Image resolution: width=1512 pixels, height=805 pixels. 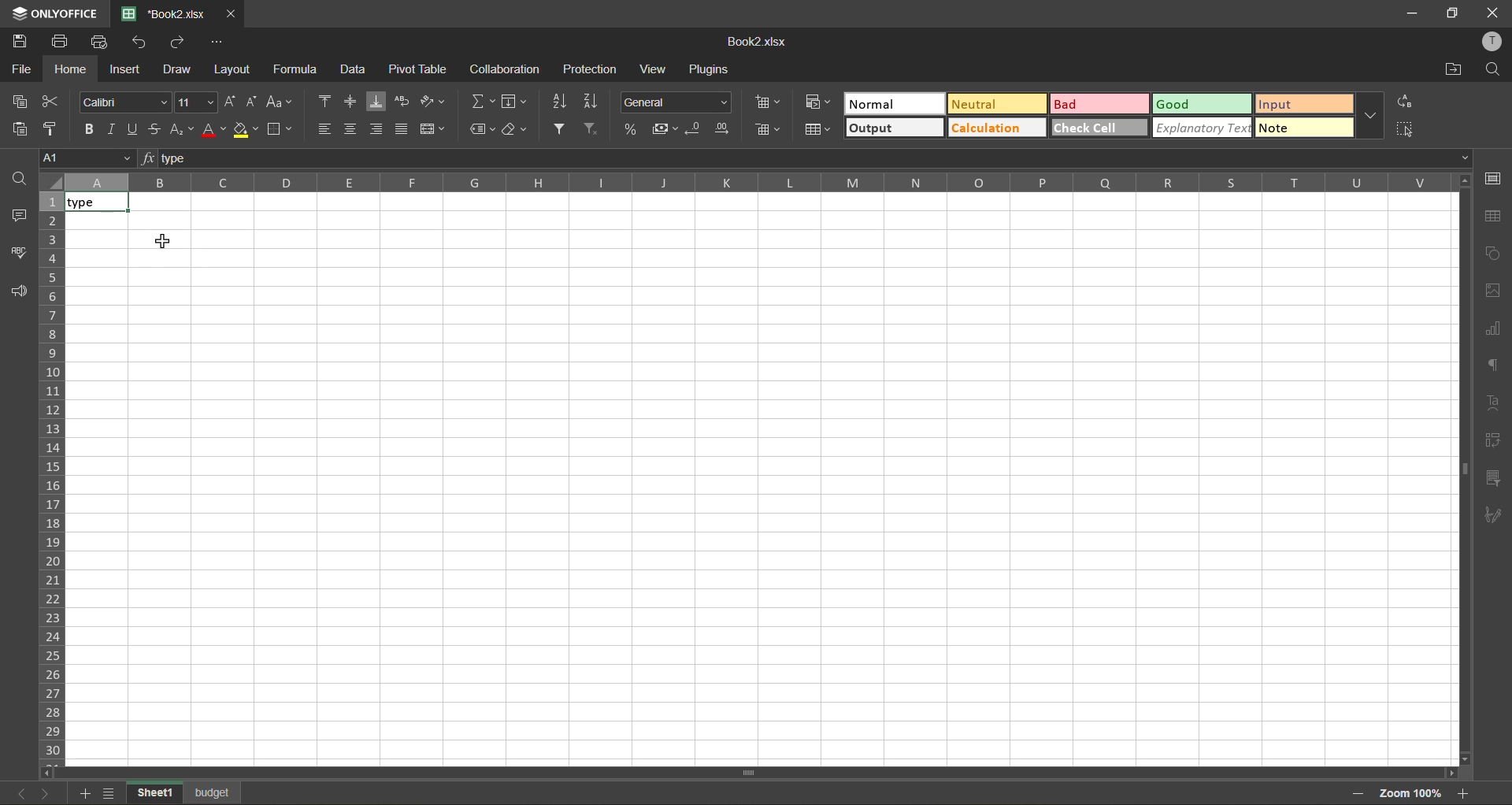 What do you see at coordinates (346, 98) in the screenshot?
I see `align middle` at bounding box center [346, 98].